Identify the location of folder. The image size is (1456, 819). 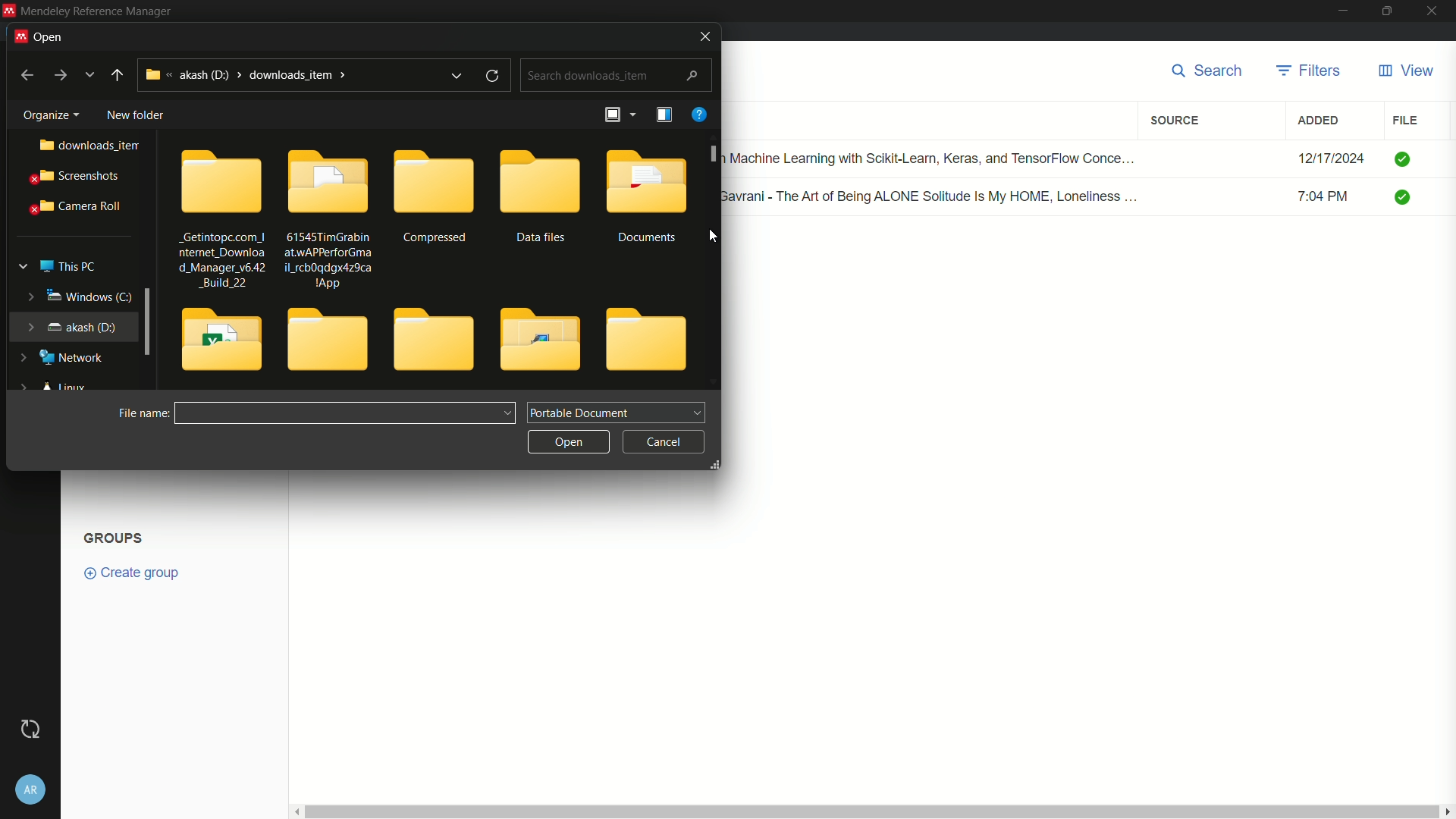
(537, 338).